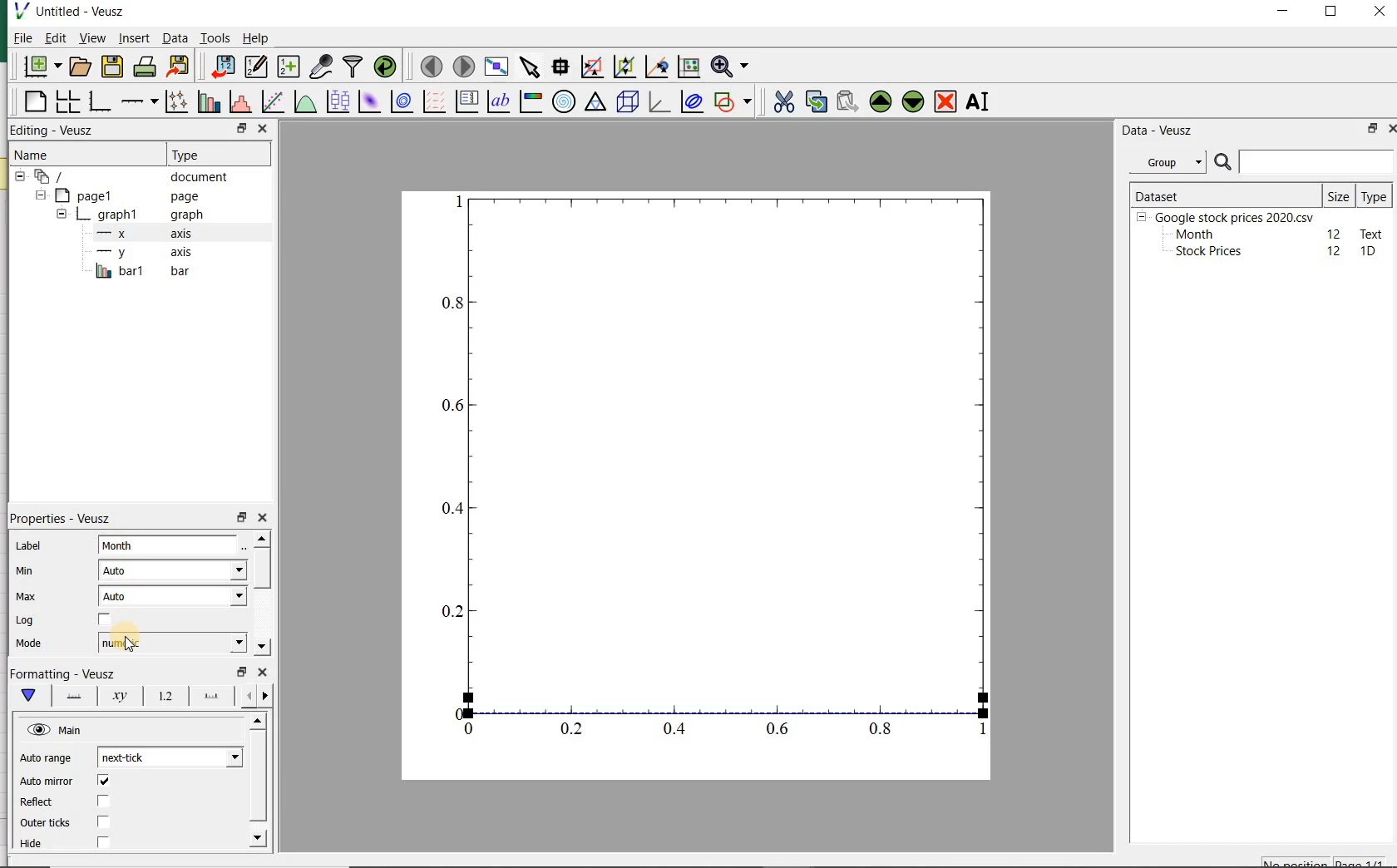 The height and width of the screenshot is (868, 1397). Describe the element at coordinates (368, 101) in the screenshot. I see `plot a 2d dataset as an image` at that location.